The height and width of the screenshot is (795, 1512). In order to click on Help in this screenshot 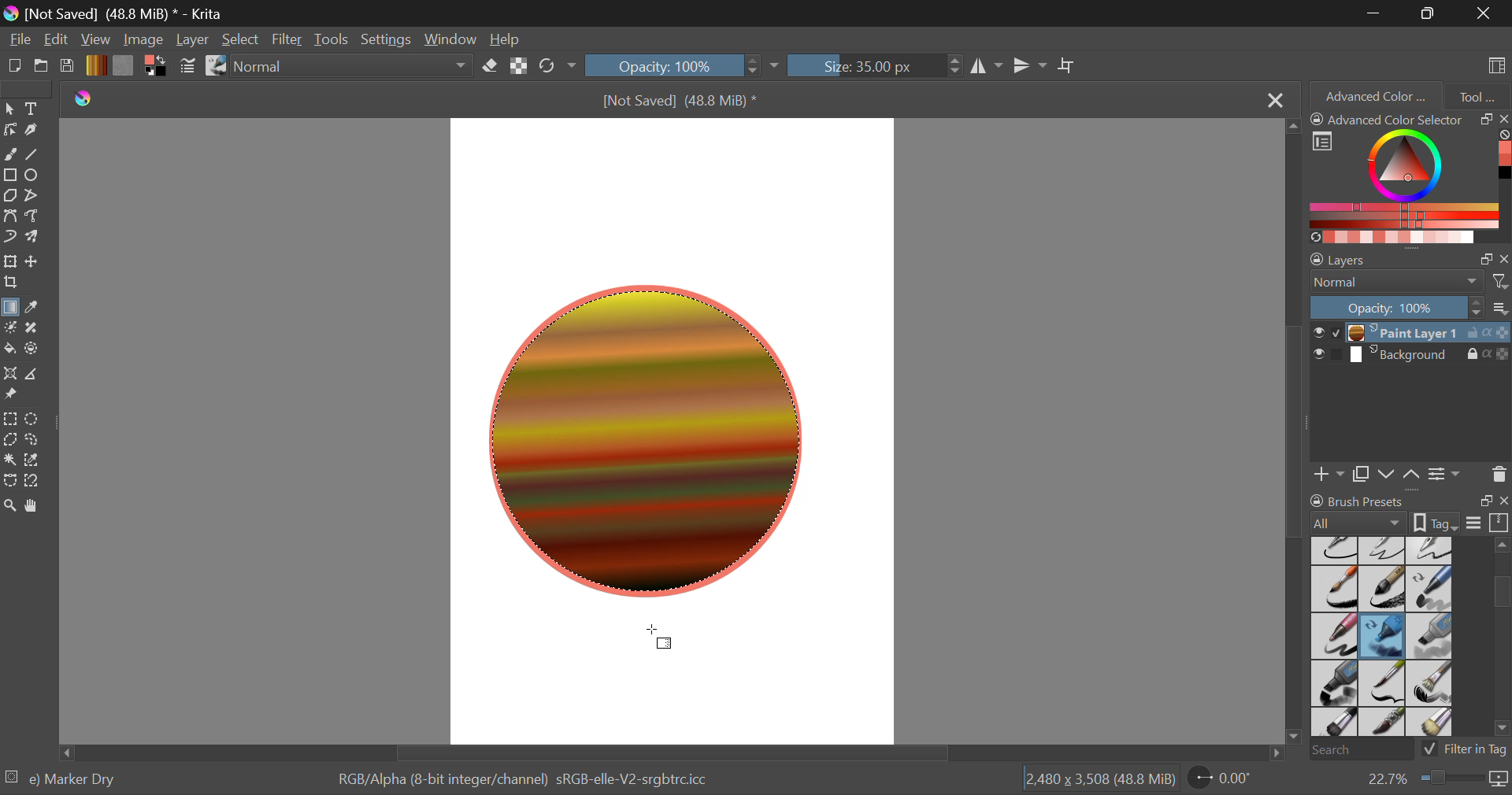, I will do `click(507, 41)`.